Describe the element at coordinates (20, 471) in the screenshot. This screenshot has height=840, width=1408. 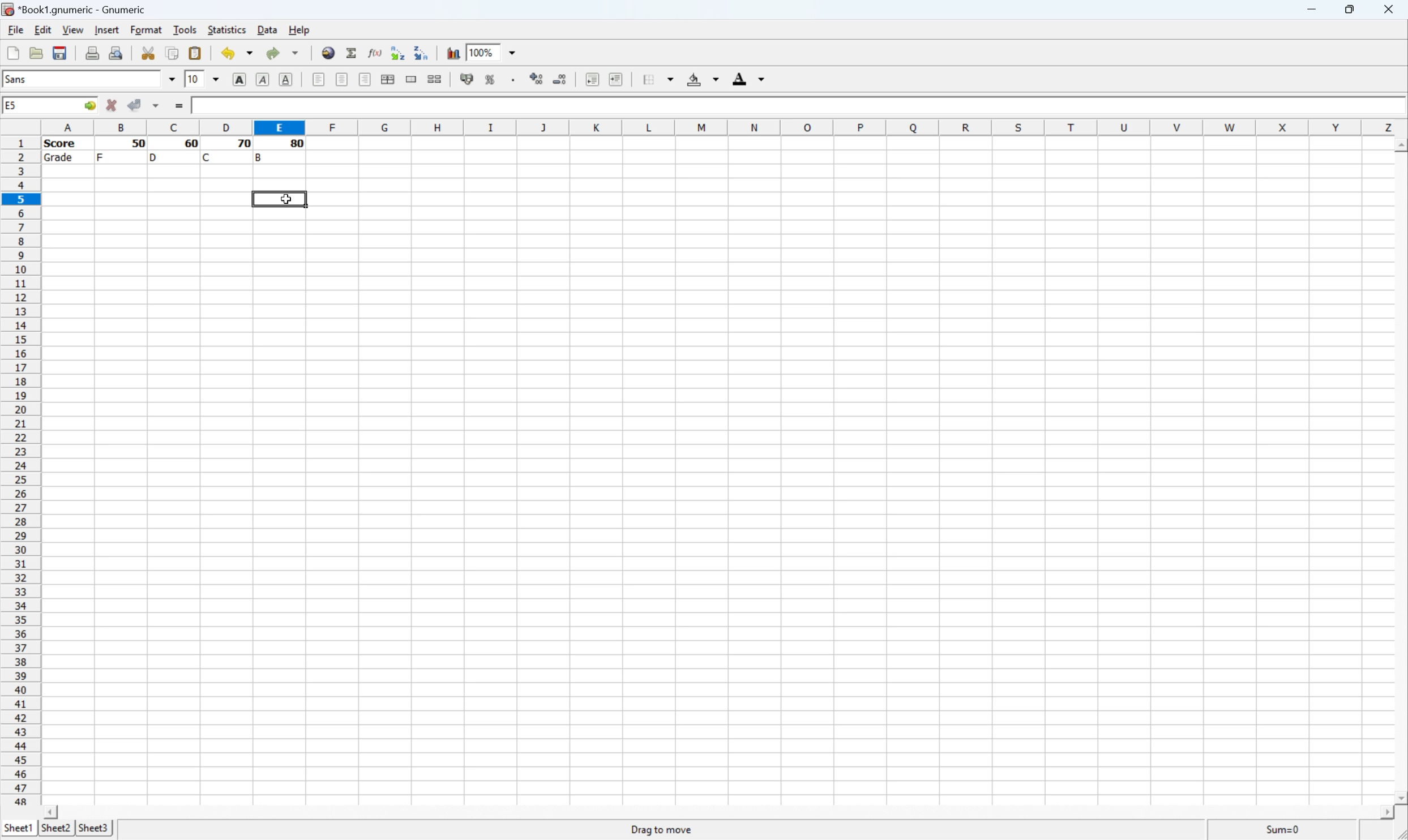
I see `Row Numbers` at that location.